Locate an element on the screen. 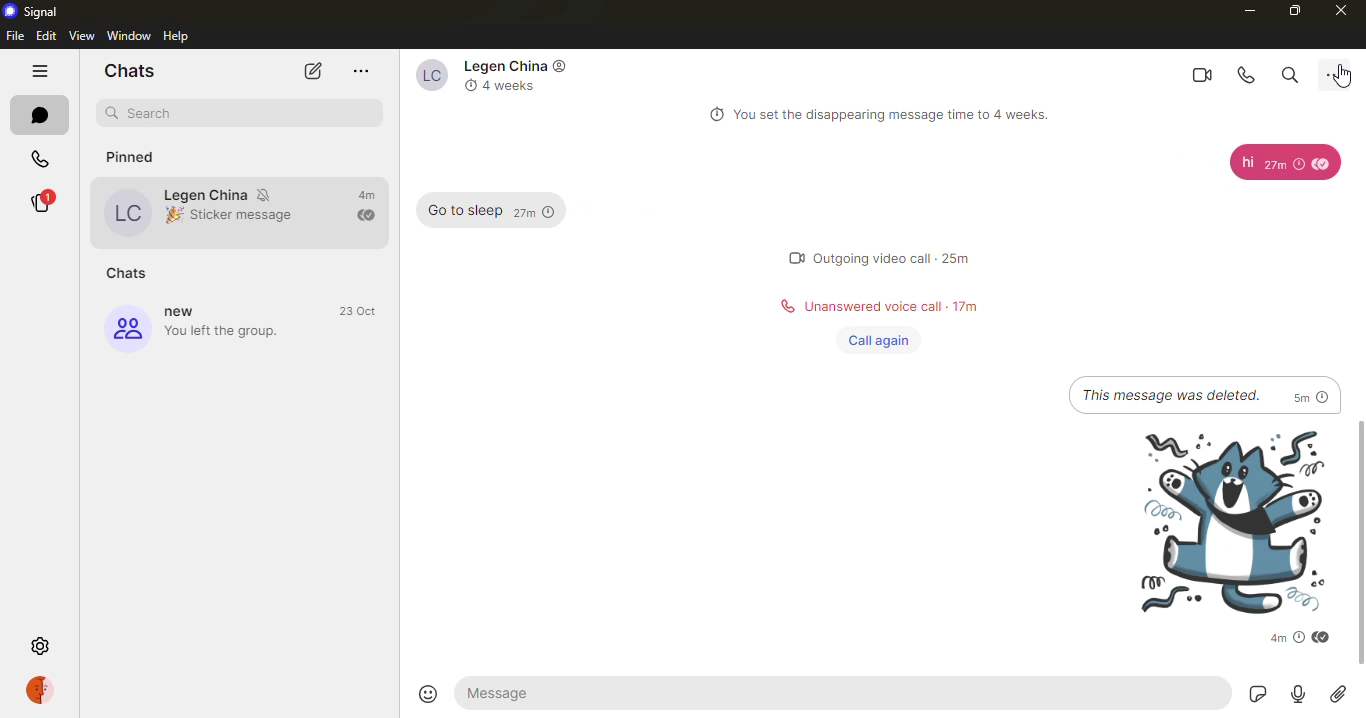  Legen China is located at coordinates (501, 66).